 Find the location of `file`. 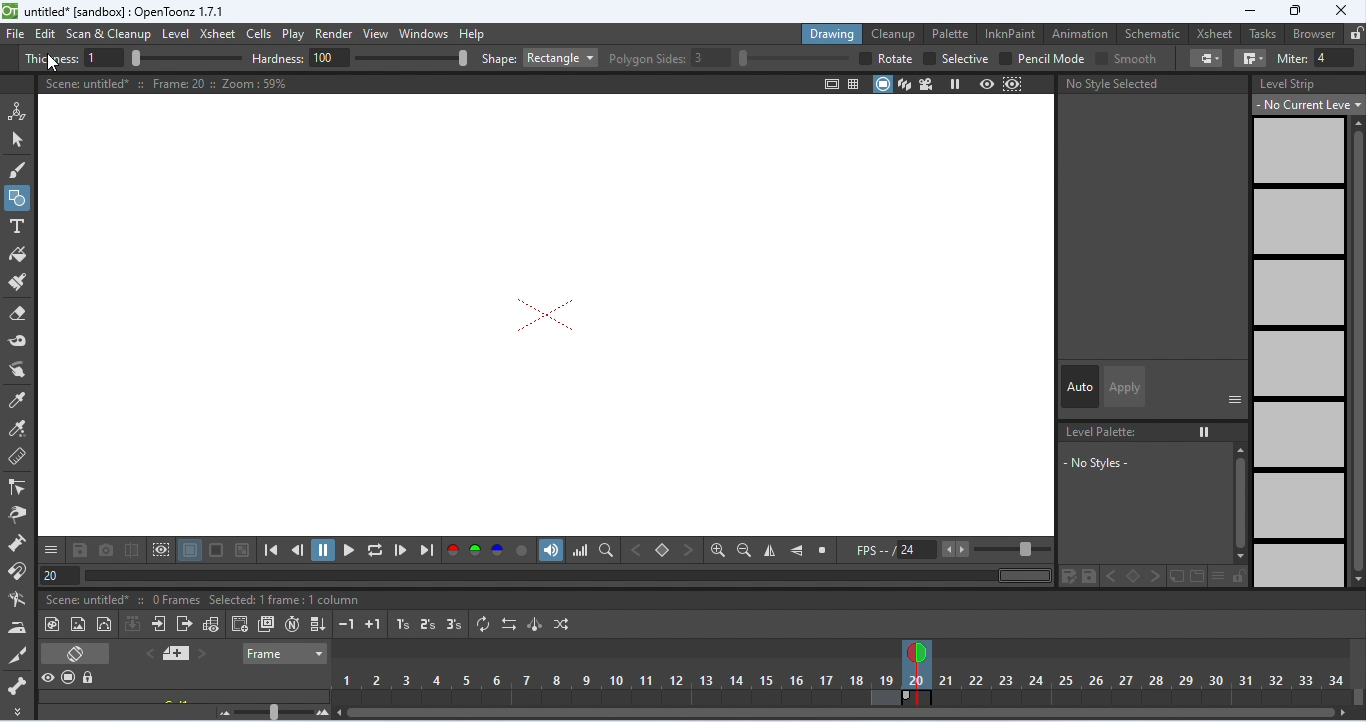

file is located at coordinates (14, 33).